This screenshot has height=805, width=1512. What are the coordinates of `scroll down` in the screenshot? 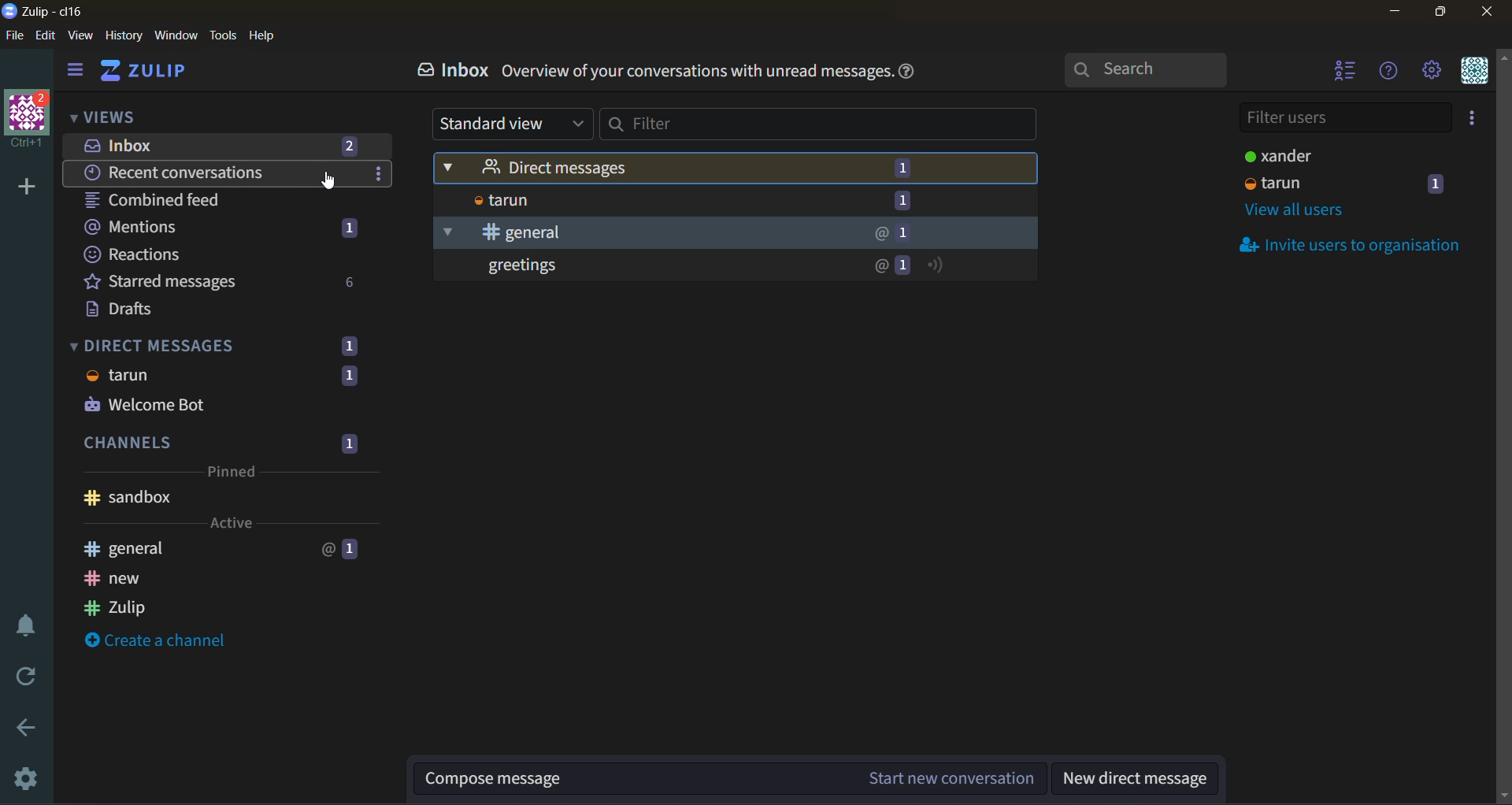 It's located at (1503, 797).